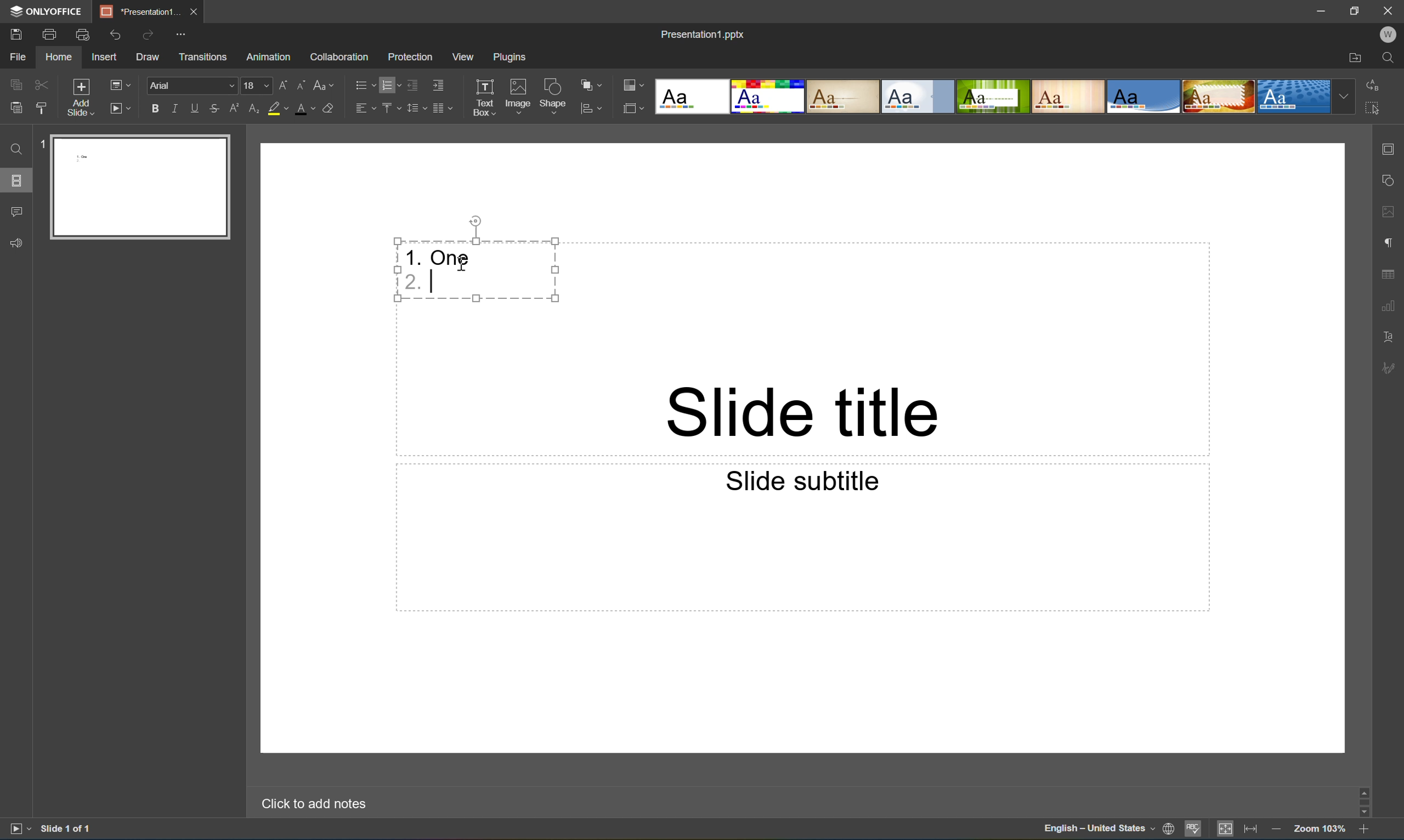 The height and width of the screenshot is (840, 1404). I want to click on Slide 1 of 1, so click(69, 828).